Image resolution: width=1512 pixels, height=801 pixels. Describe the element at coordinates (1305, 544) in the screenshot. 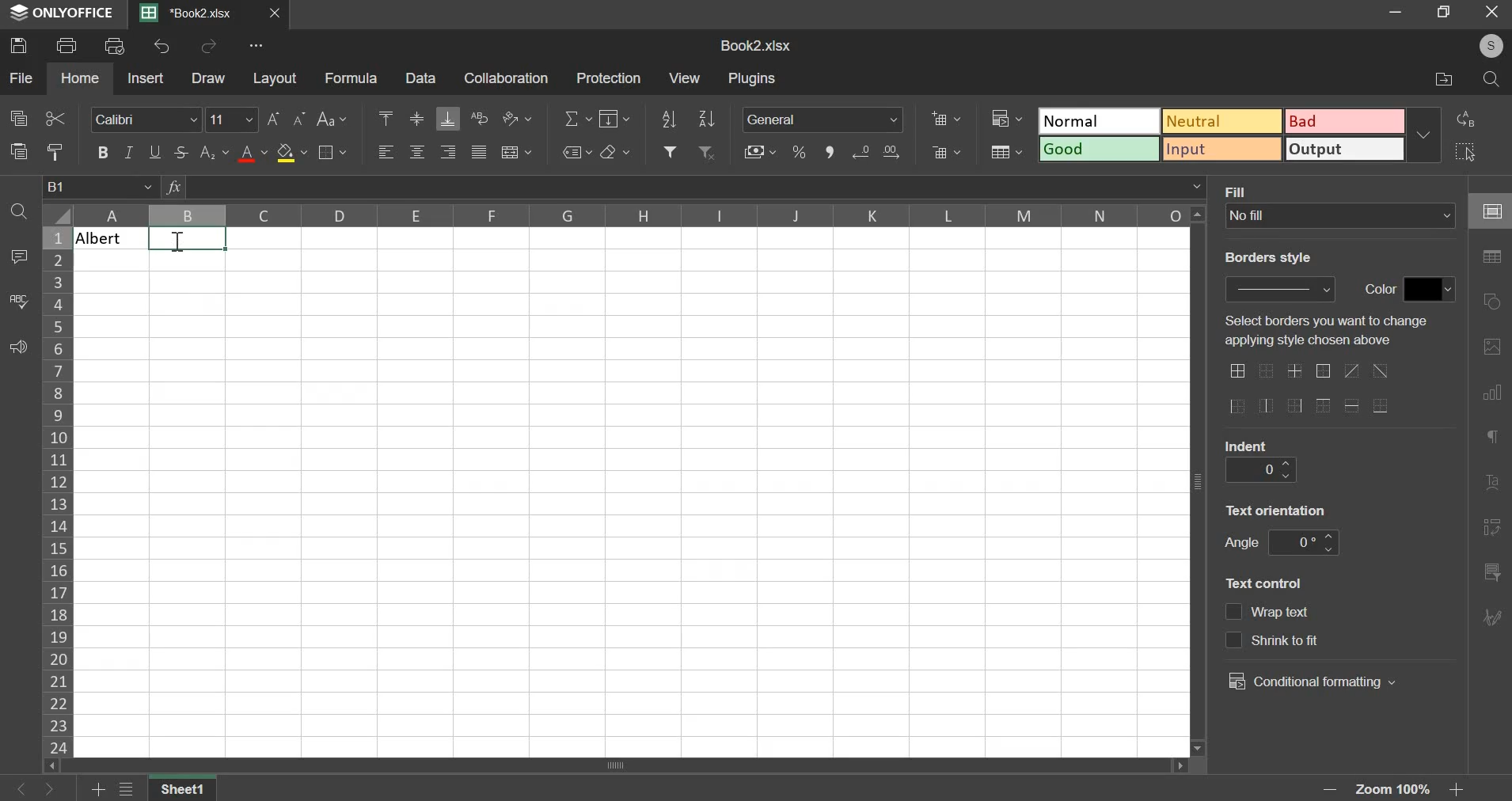

I see `angle` at that location.